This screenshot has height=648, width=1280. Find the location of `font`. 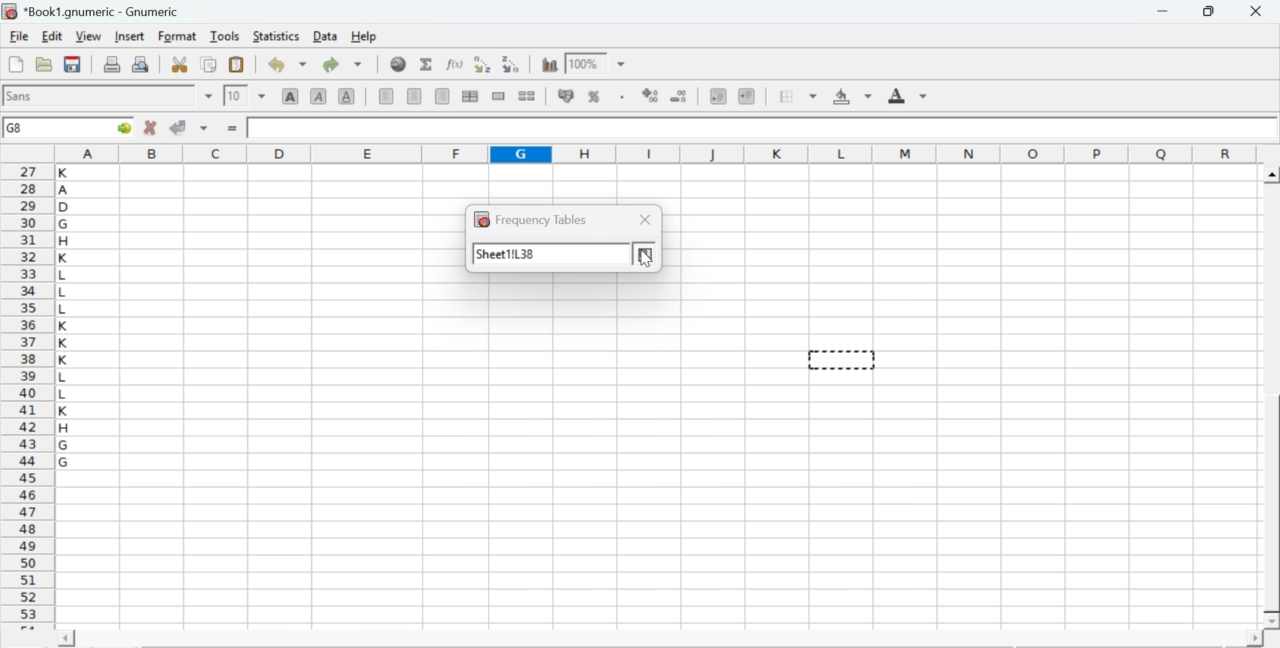

font is located at coordinates (22, 95).